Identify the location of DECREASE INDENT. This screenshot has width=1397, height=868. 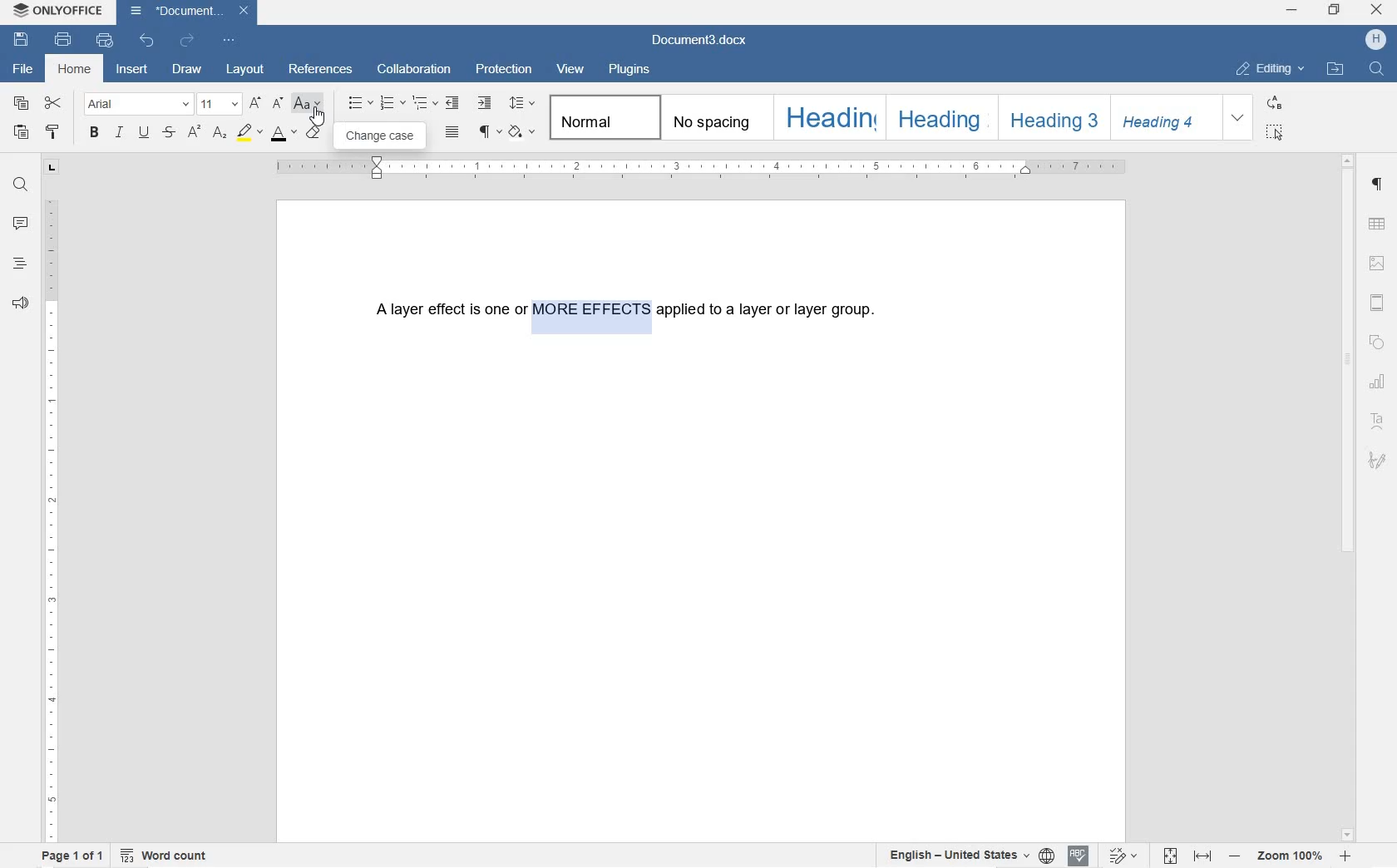
(452, 104).